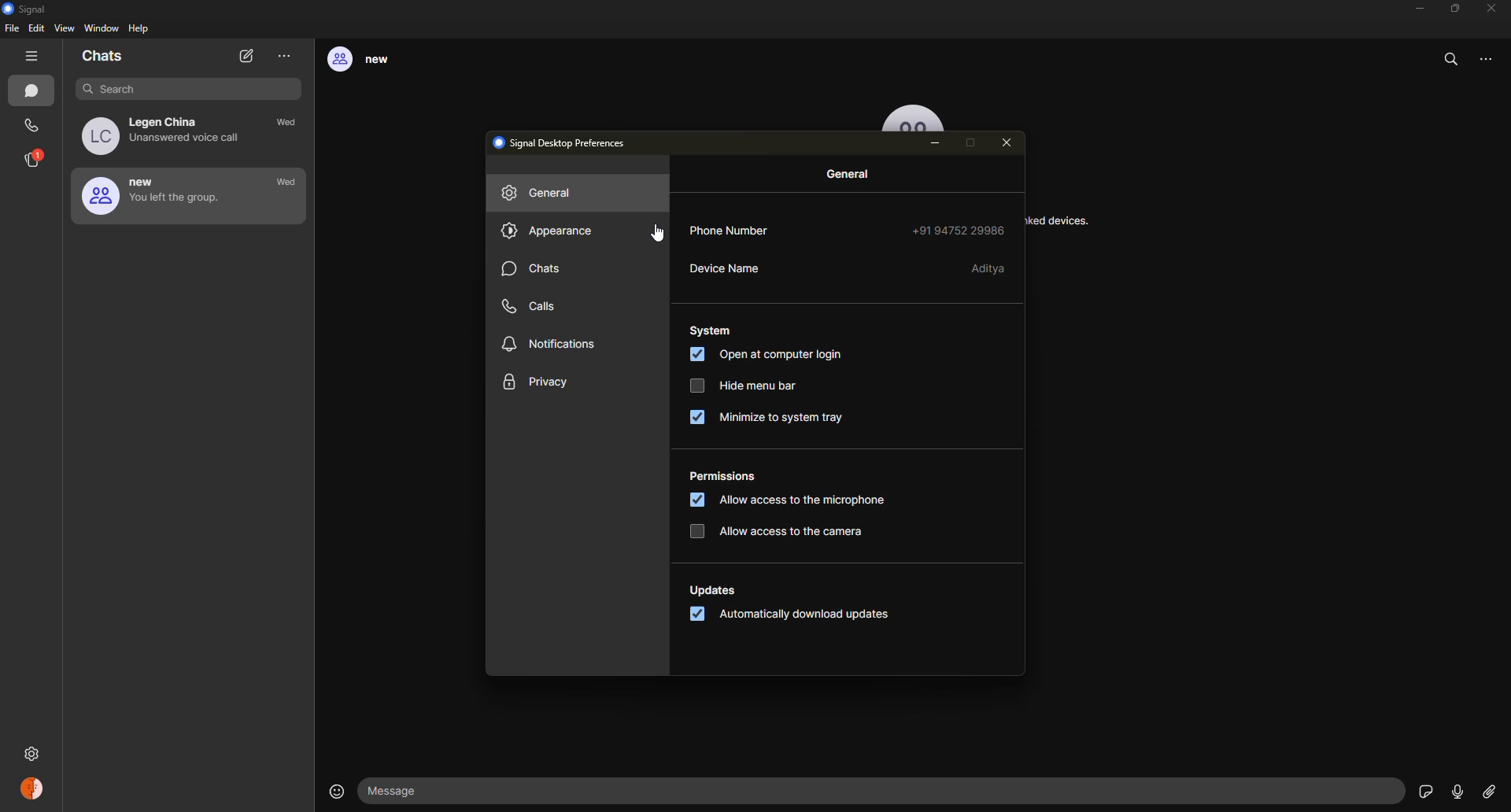 This screenshot has height=812, width=1511. What do you see at coordinates (157, 195) in the screenshot?
I see `new` at bounding box center [157, 195].